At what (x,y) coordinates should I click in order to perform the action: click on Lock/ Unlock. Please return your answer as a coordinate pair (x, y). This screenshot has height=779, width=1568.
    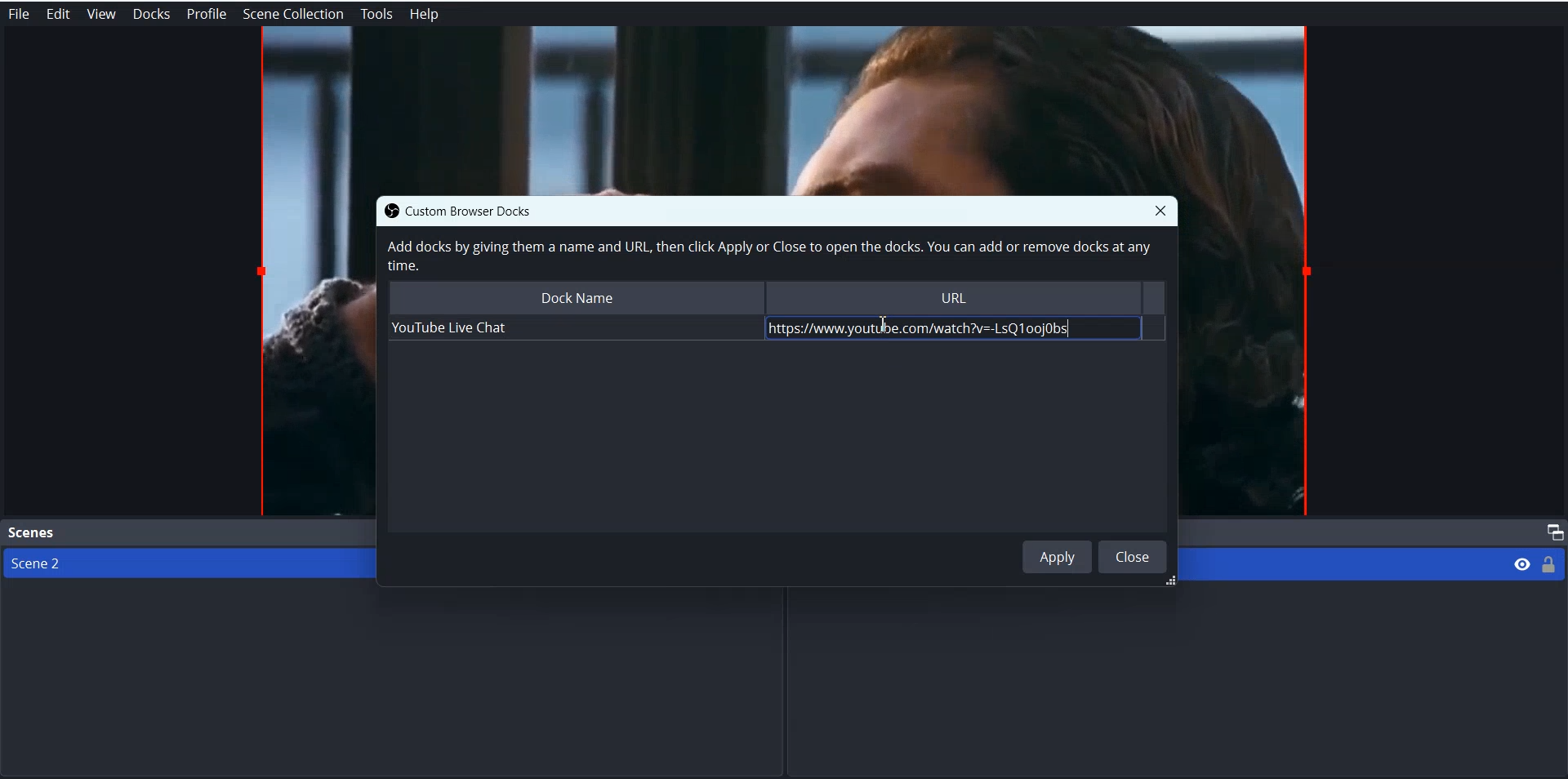
    Looking at the image, I should click on (1549, 563).